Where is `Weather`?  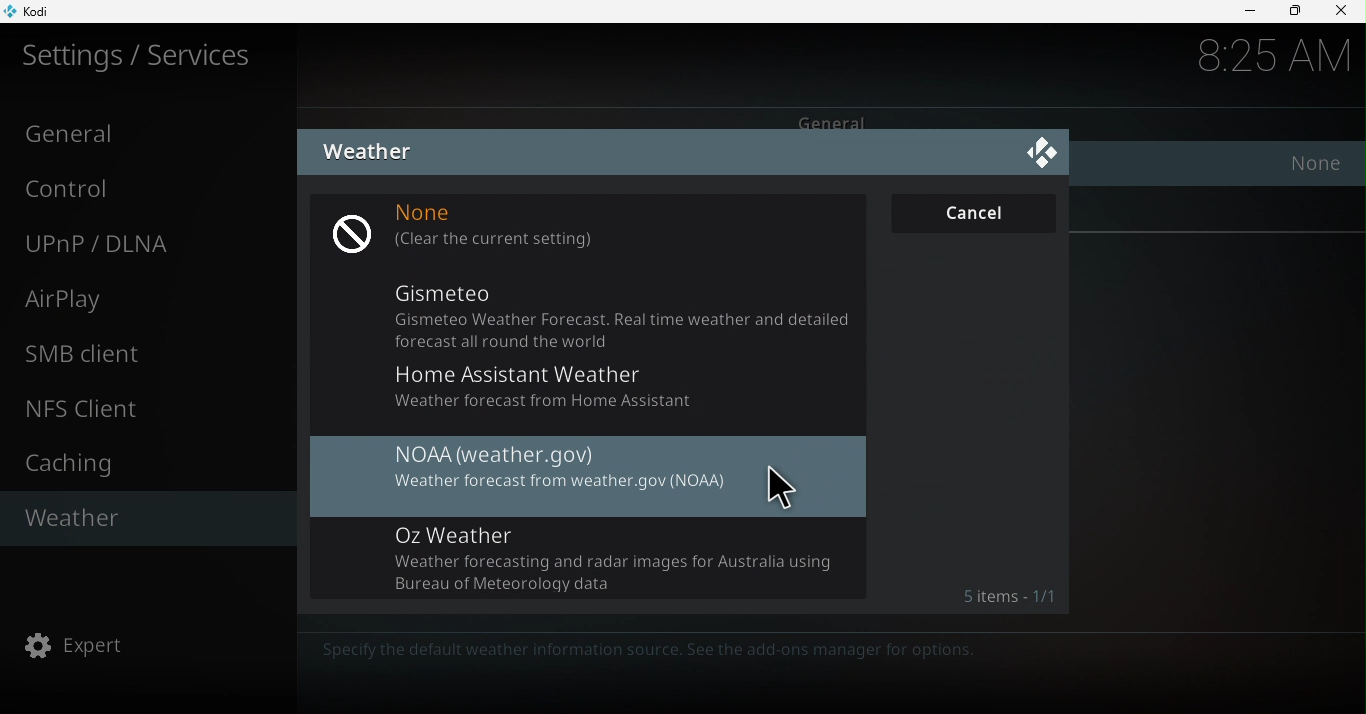 Weather is located at coordinates (373, 149).